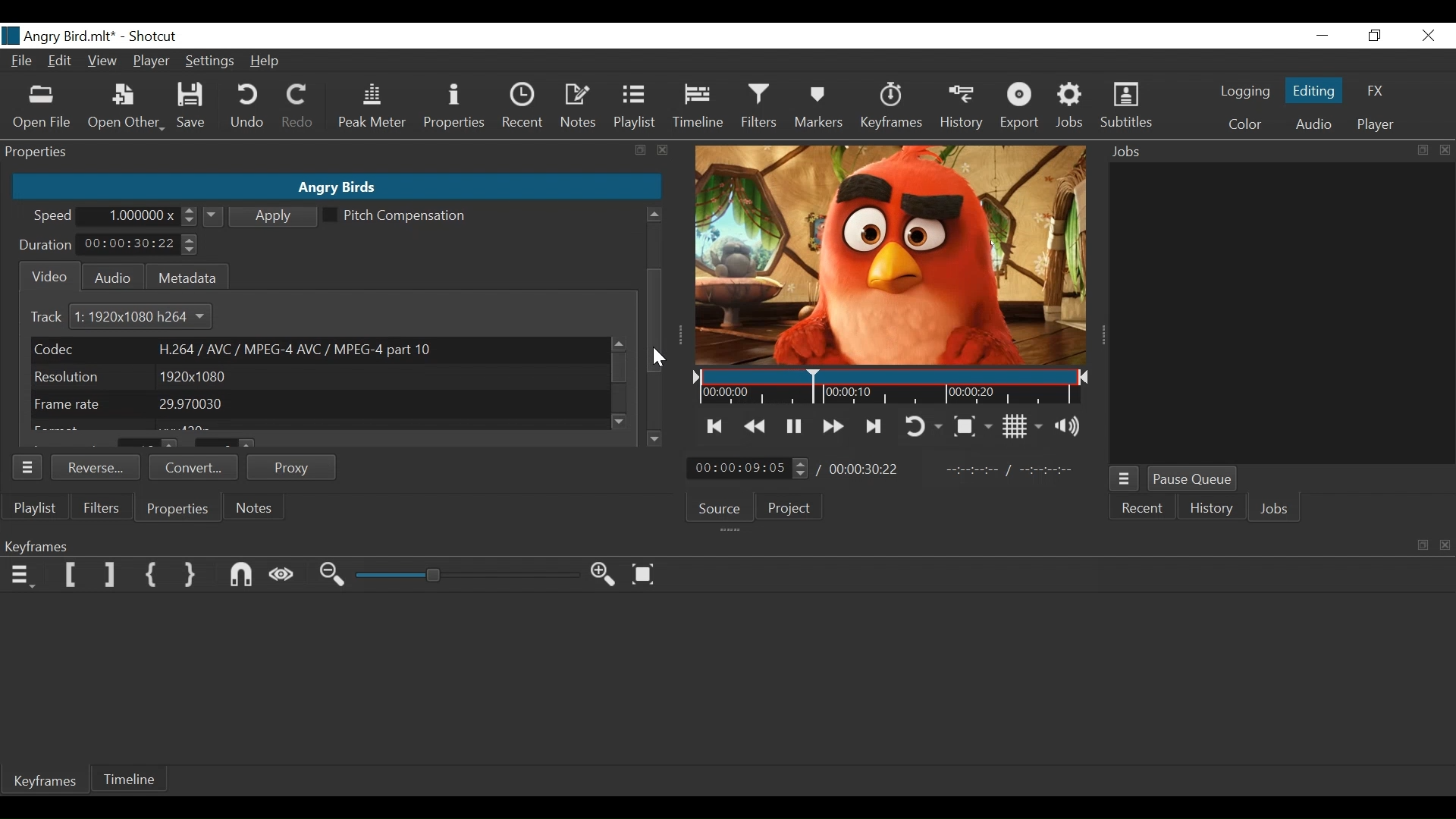 This screenshot has height=819, width=1456. What do you see at coordinates (110, 576) in the screenshot?
I see `Set Filter last` at bounding box center [110, 576].